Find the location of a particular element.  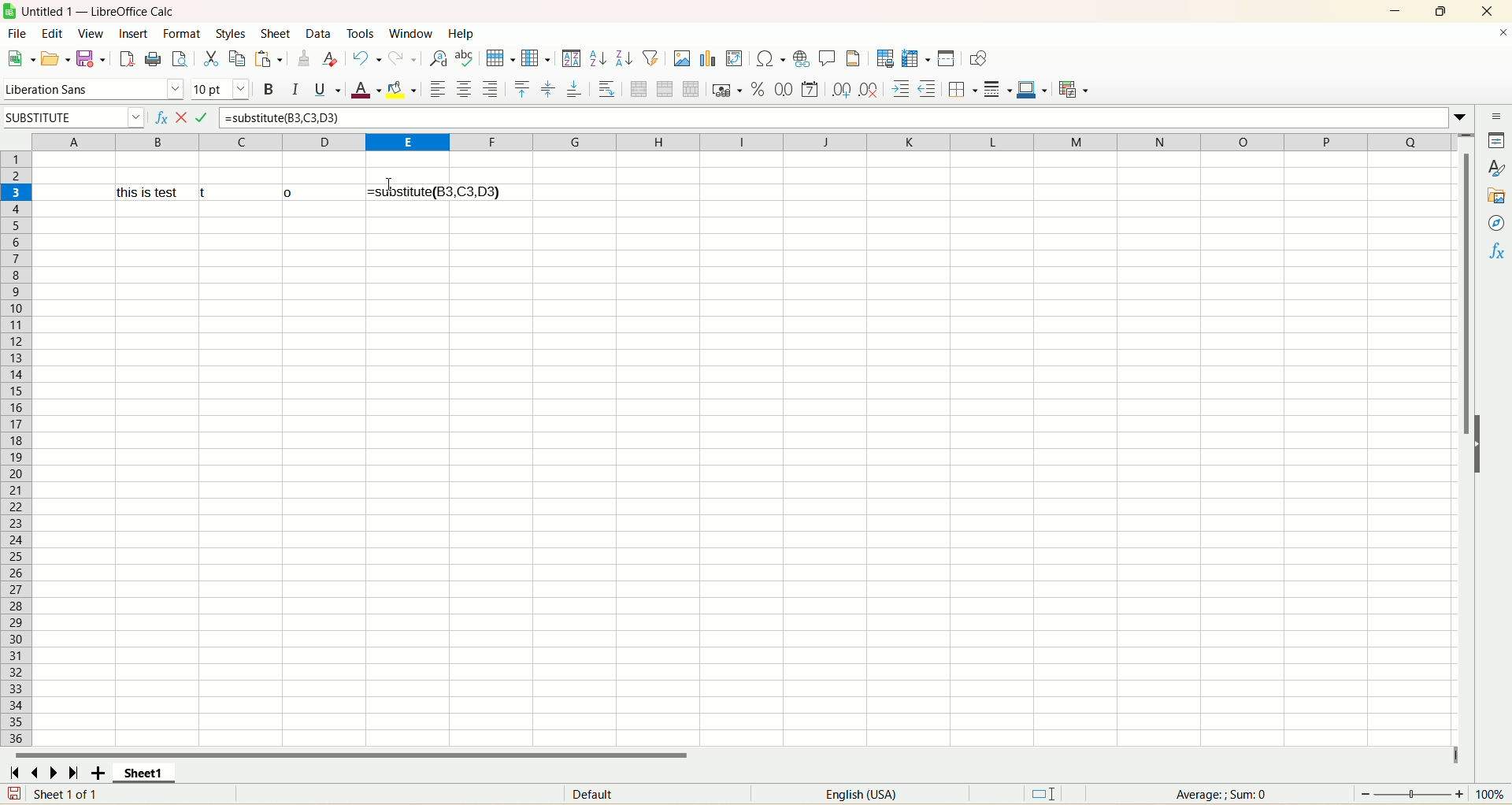

align center is located at coordinates (463, 87).